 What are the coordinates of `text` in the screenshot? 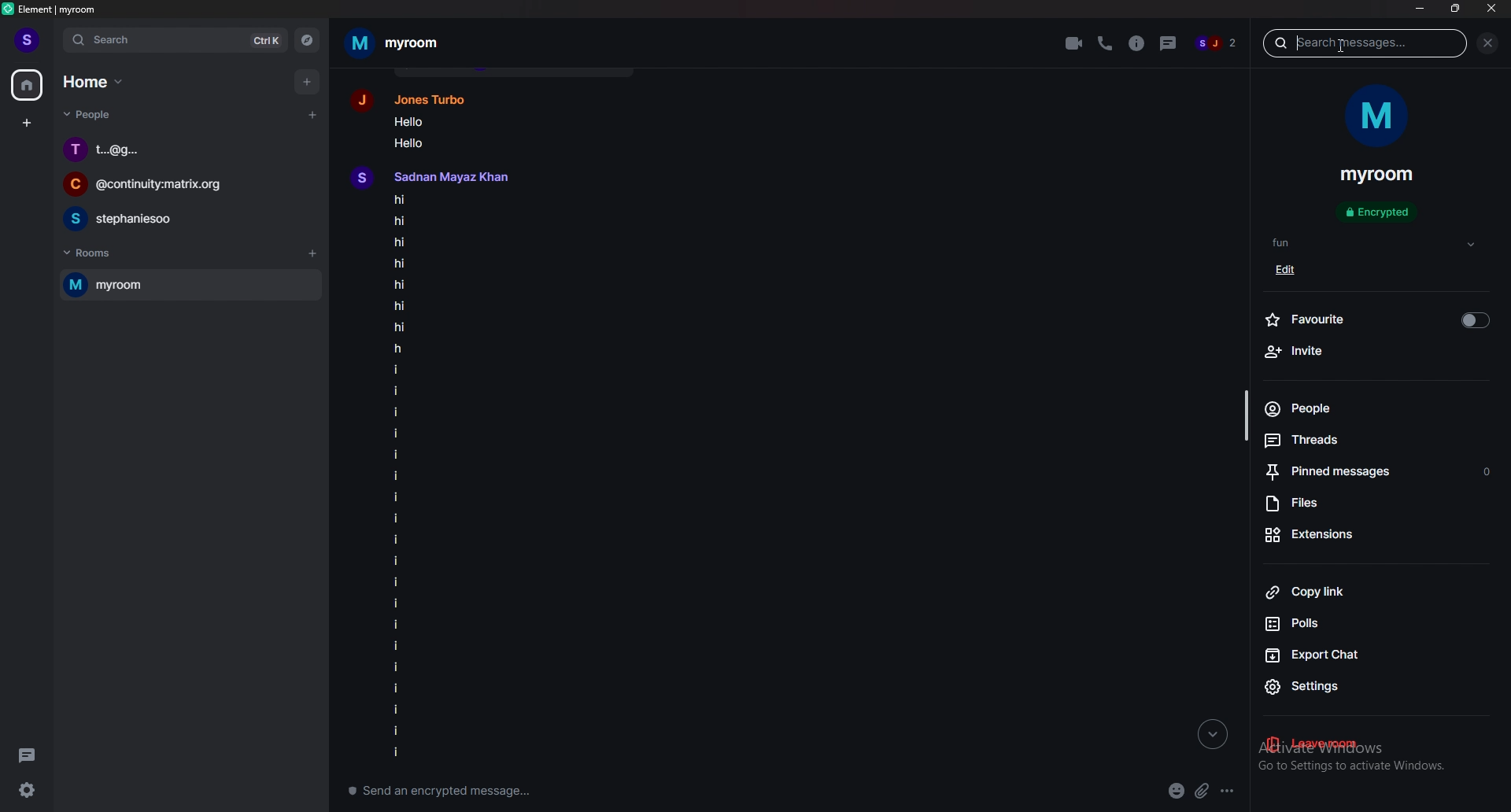 It's located at (430, 131).